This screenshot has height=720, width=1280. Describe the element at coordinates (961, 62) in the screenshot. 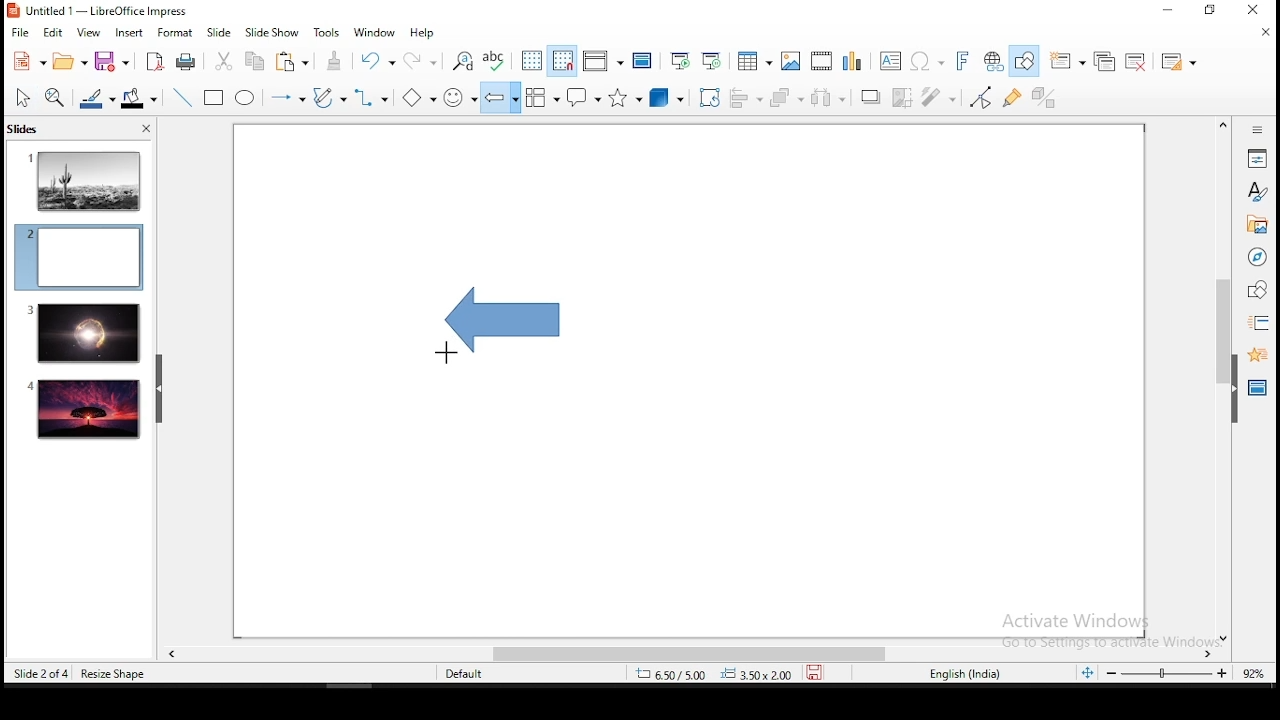

I see `fontwork text` at that location.